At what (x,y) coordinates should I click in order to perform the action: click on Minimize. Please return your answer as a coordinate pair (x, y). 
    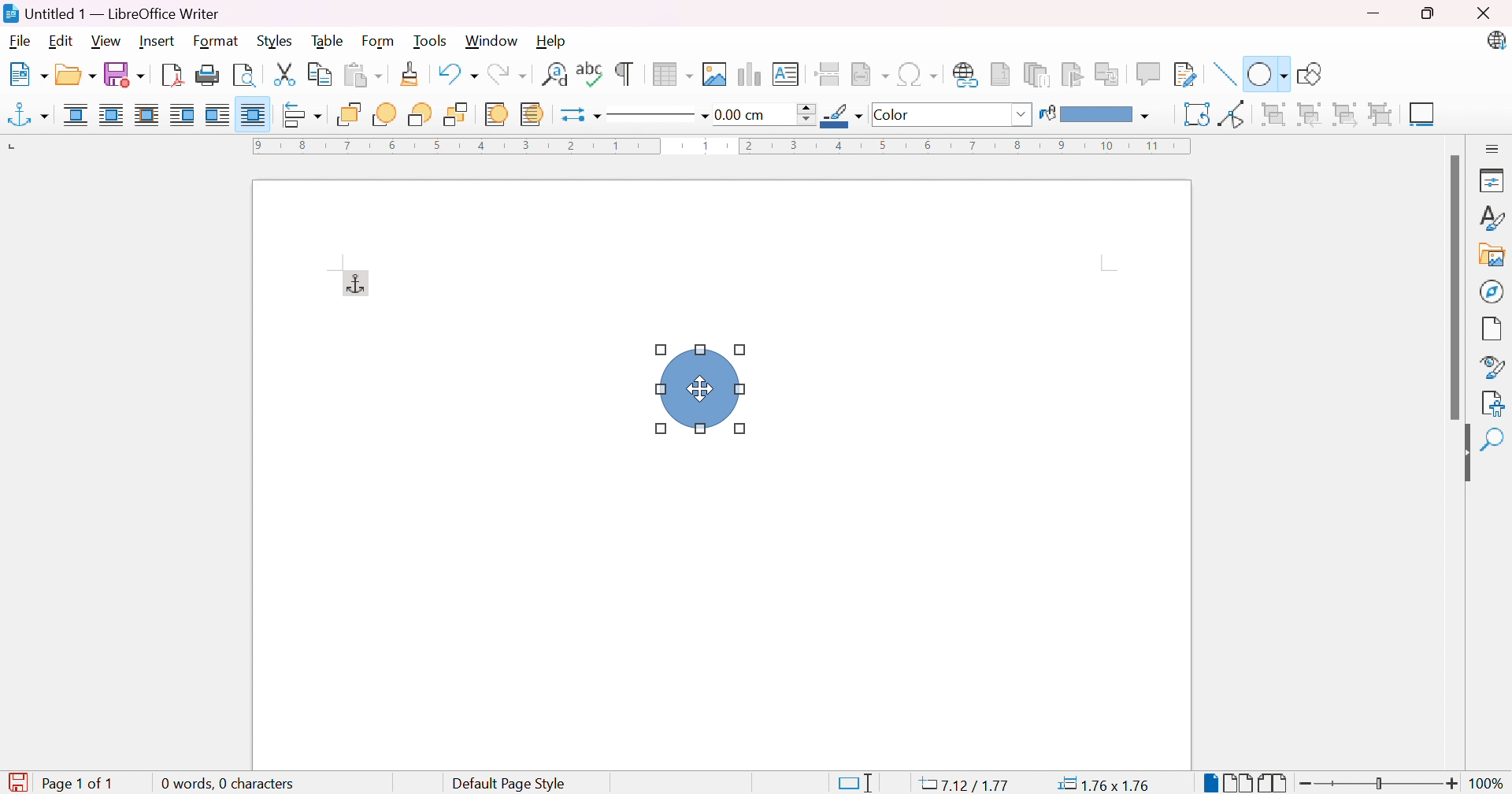
    Looking at the image, I should click on (1374, 15).